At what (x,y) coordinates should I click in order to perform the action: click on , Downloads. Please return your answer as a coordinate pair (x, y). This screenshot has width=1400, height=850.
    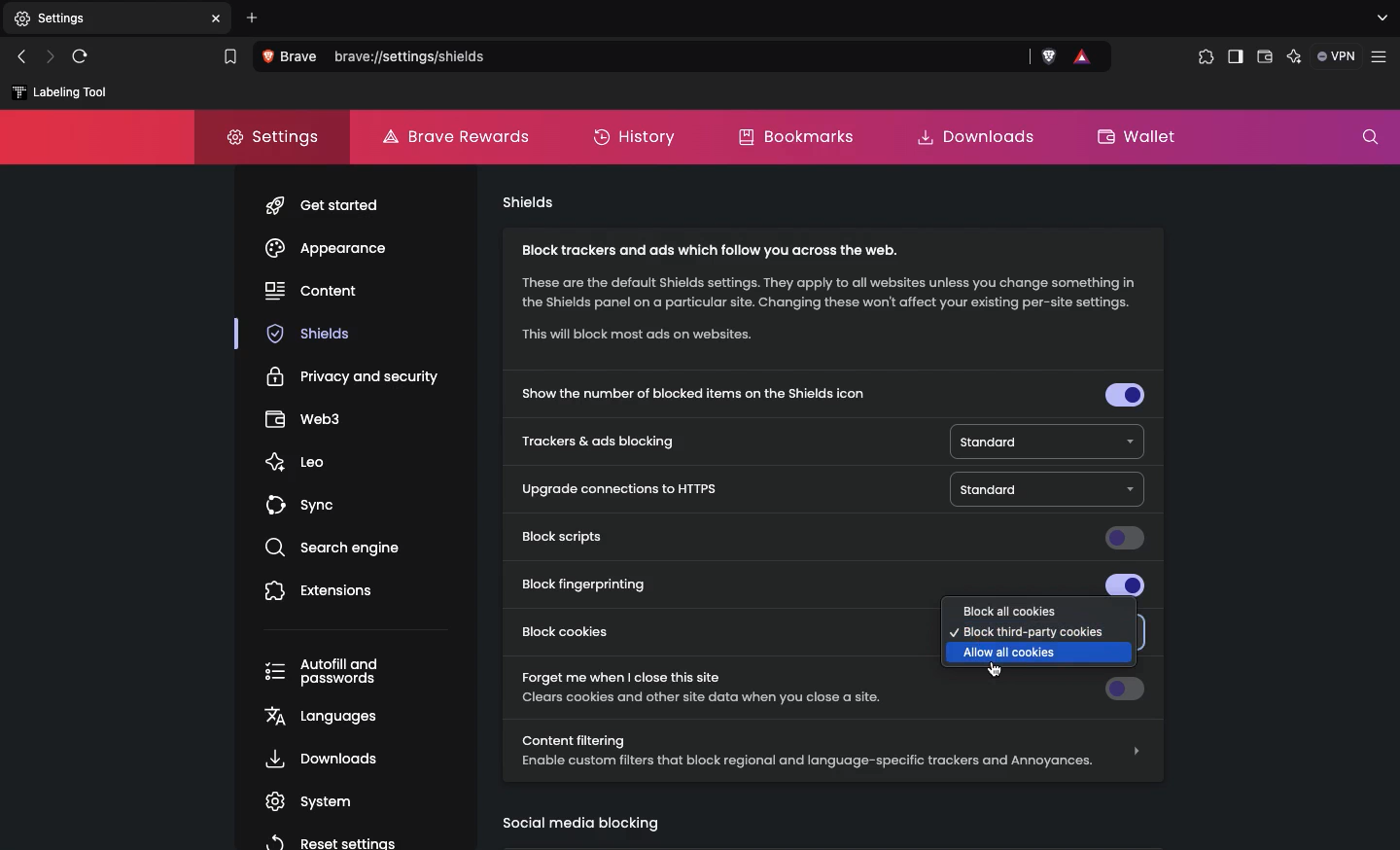
    Looking at the image, I should click on (319, 761).